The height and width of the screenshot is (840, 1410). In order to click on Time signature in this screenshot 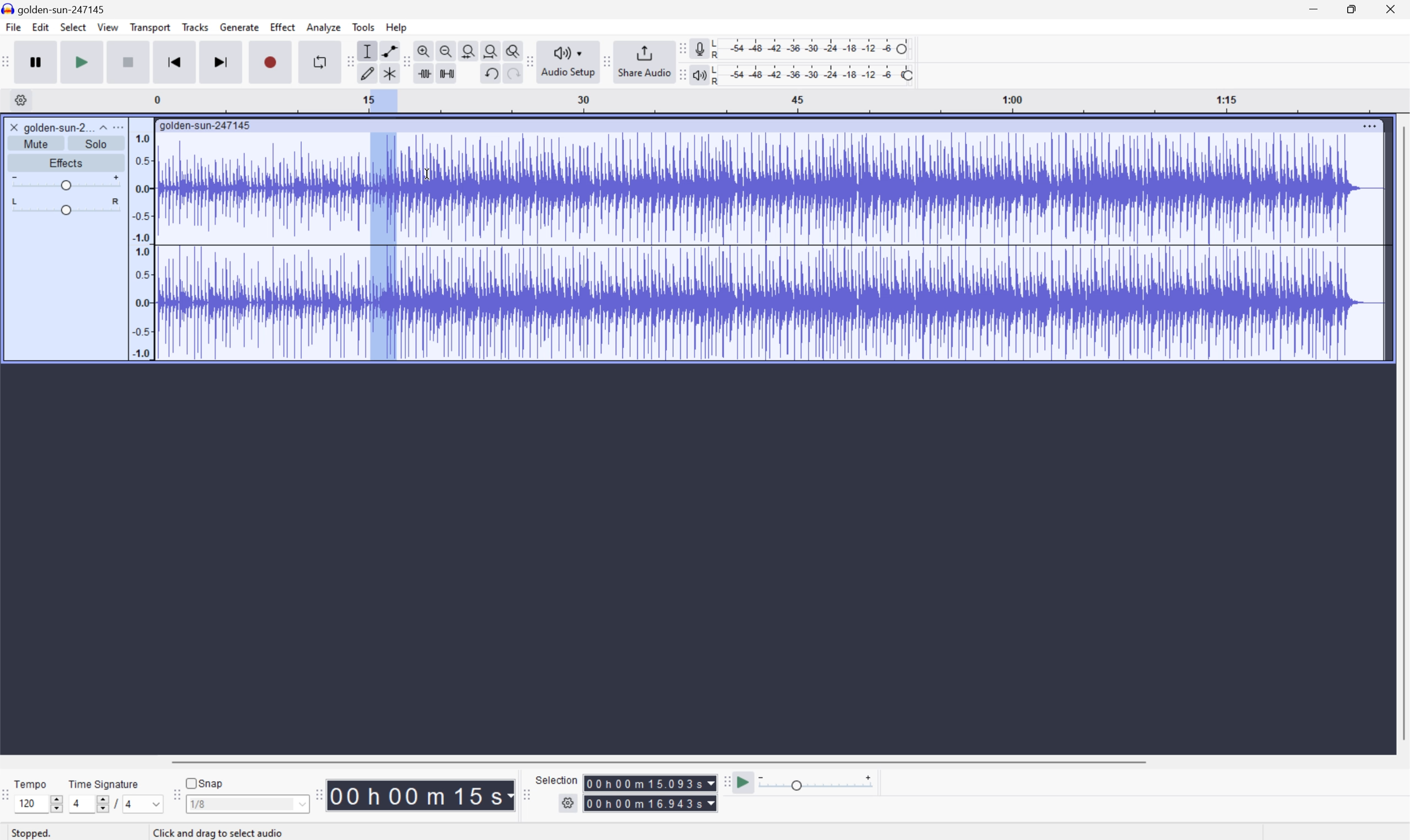, I will do `click(104, 782)`.